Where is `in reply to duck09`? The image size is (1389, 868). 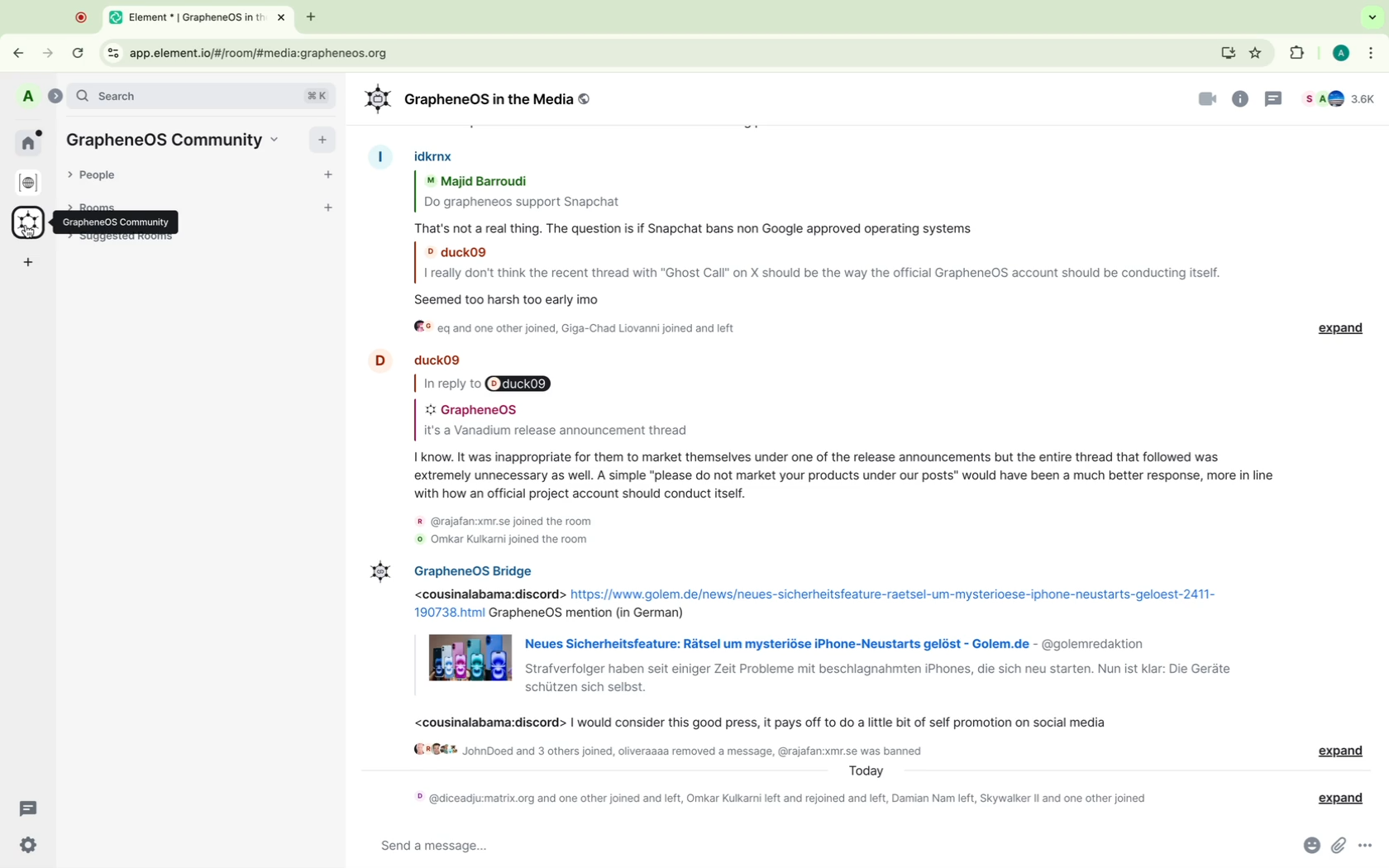
in reply to duck09 is located at coordinates (492, 384).